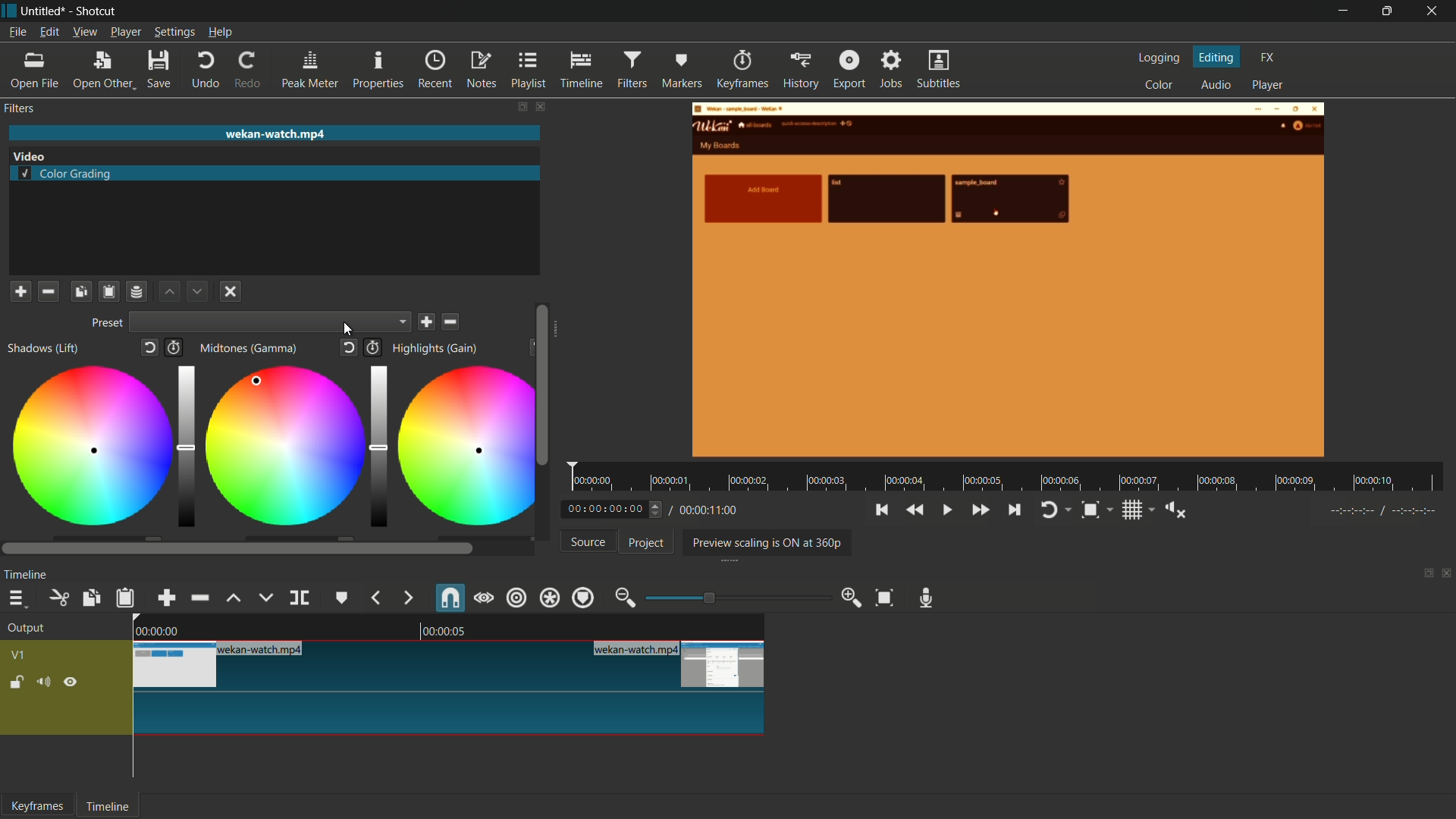 The width and height of the screenshot is (1456, 819). I want to click on zoom in, so click(850, 597).